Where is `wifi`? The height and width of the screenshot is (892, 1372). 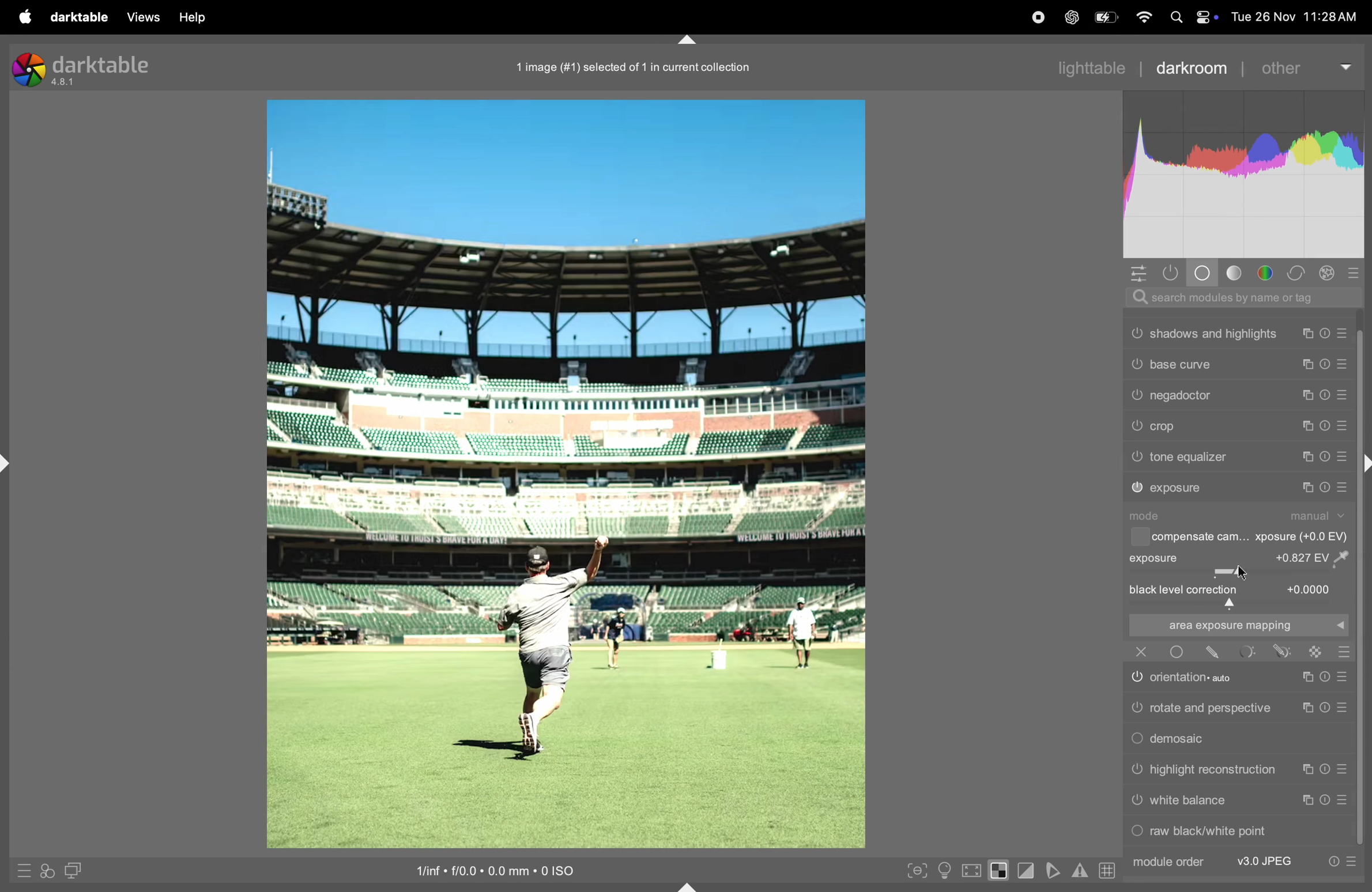
wifi is located at coordinates (1145, 18).